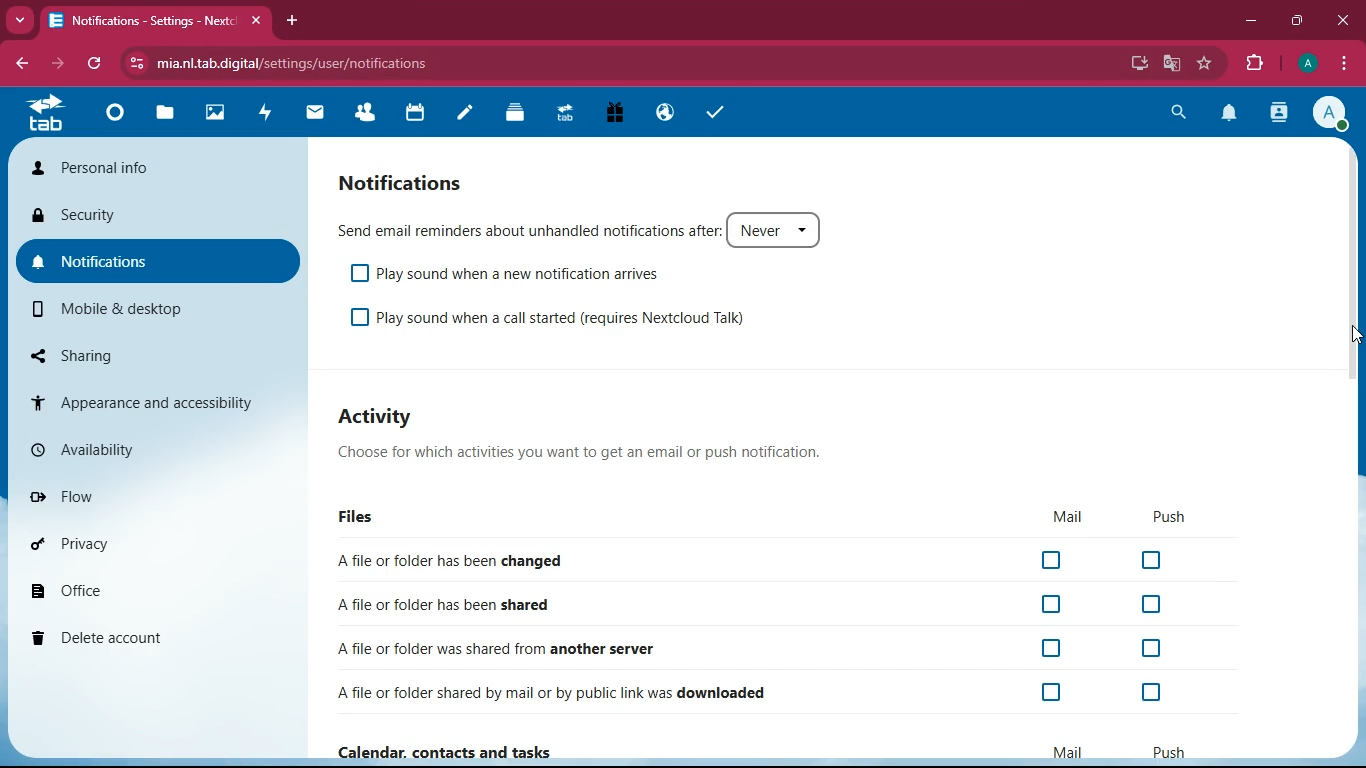  What do you see at coordinates (115, 116) in the screenshot?
I see `Dashboard` at bounding box center [115, 116].